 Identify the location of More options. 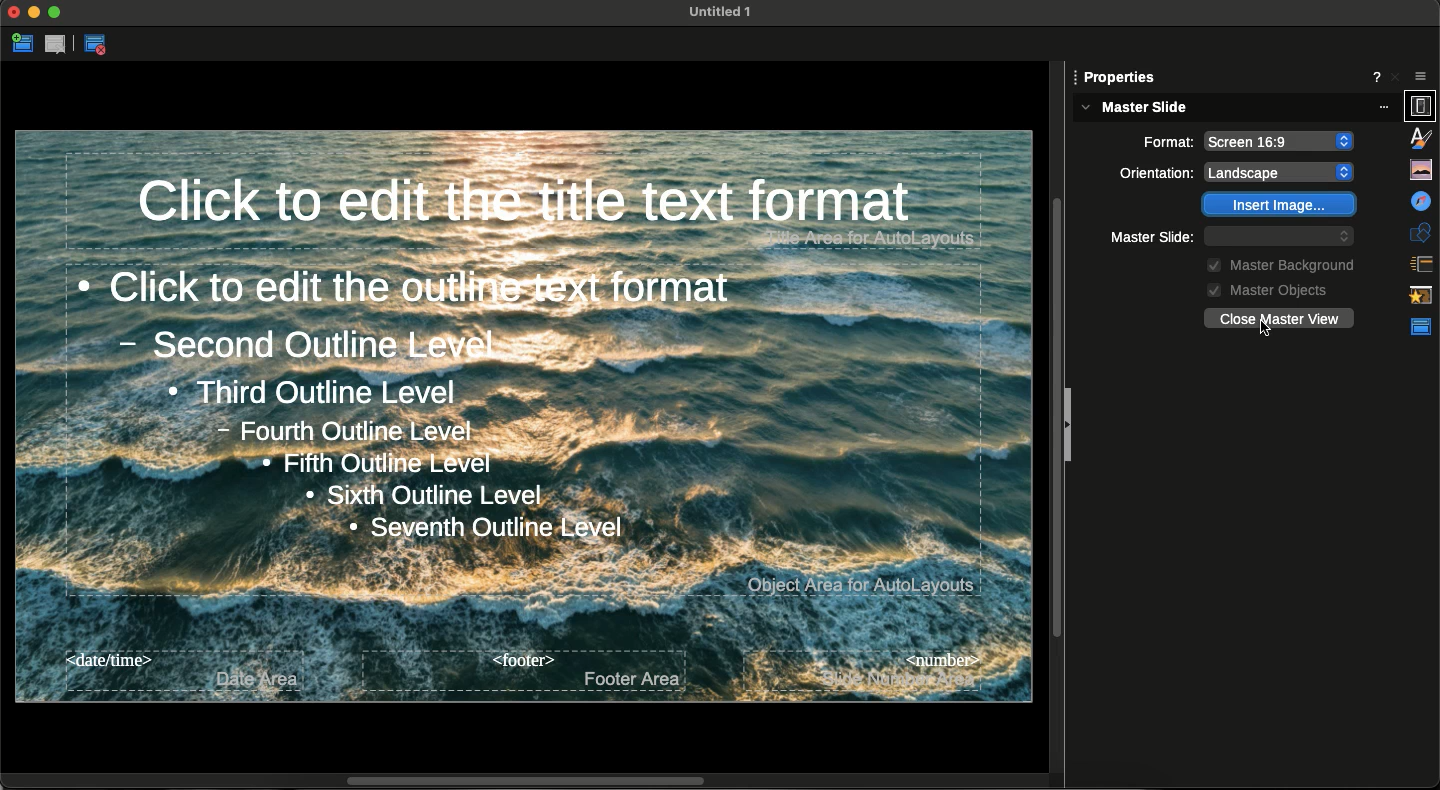
(1380, 75).